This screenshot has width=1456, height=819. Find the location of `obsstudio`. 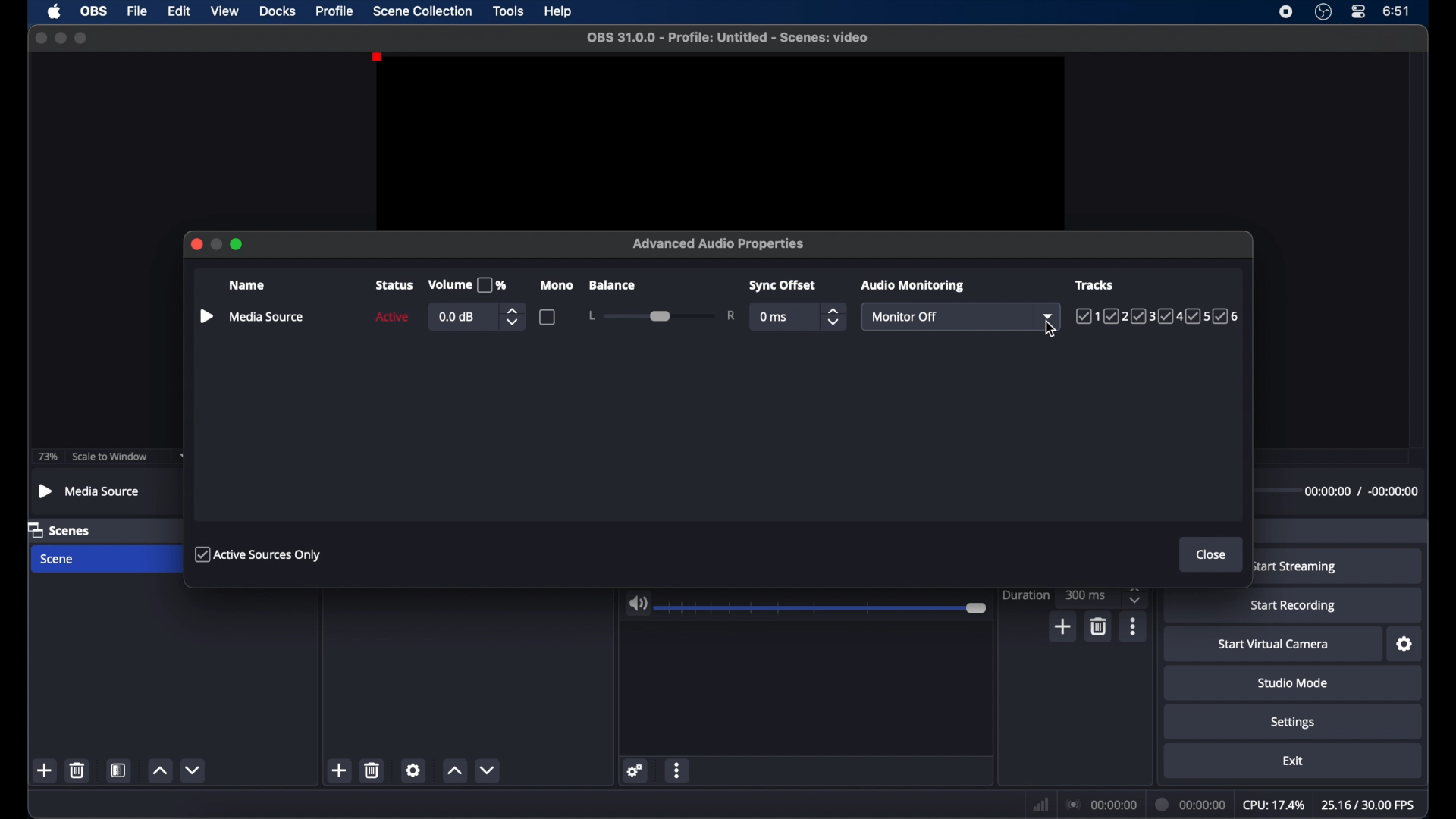

obsstudio is located at coordinates (1323, 12).